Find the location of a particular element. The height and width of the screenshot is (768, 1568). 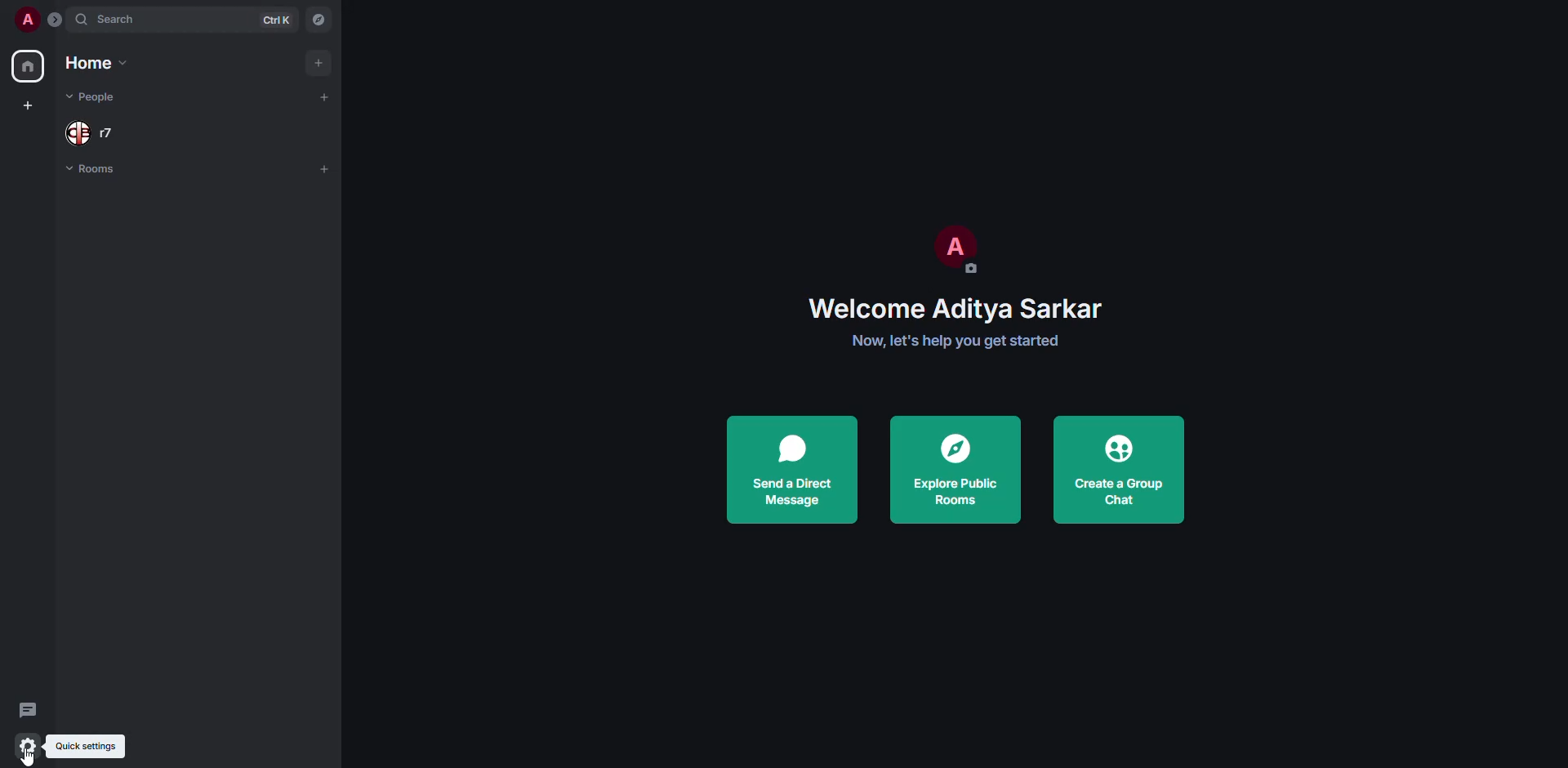

create space is located at coordinates (31, 106).